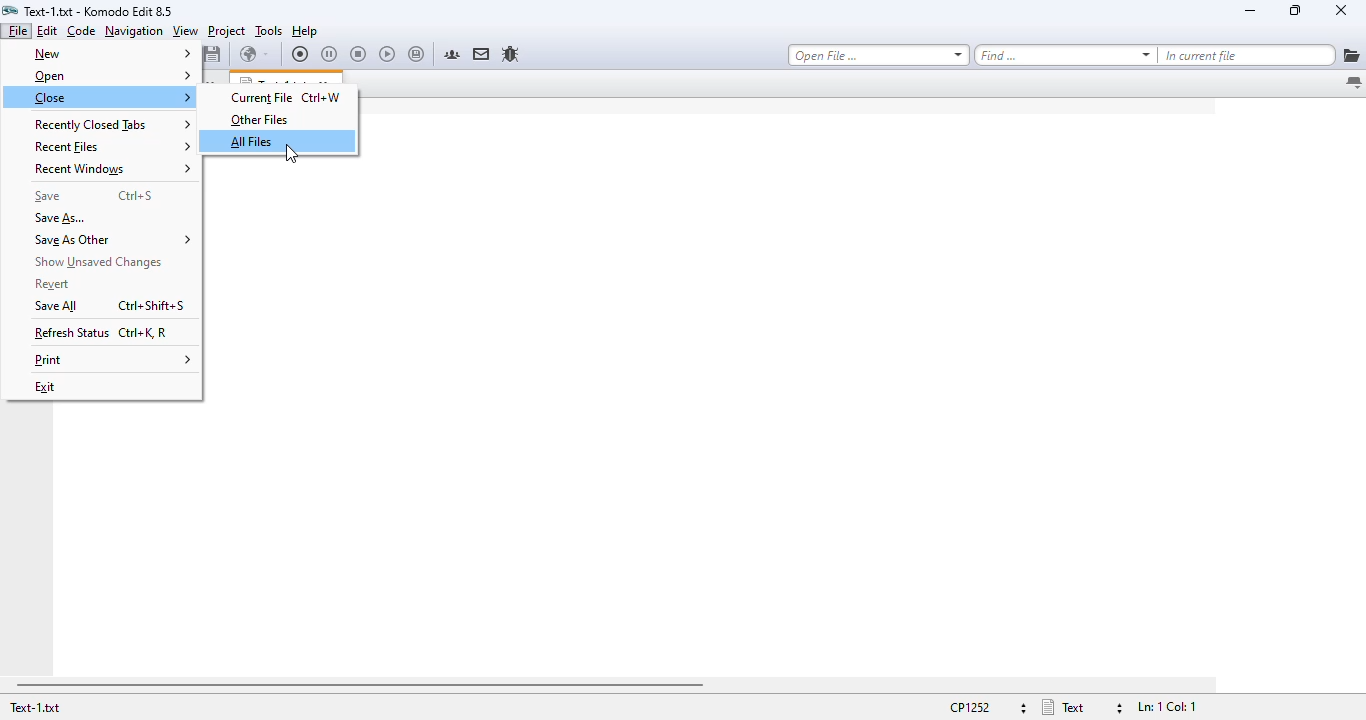 The image size is (1366, 720). What do you see at coordinates (510, 54) in the screenshot?
I see `report a bug in the komodo bugzilla database` at bounding box center [510, 54].